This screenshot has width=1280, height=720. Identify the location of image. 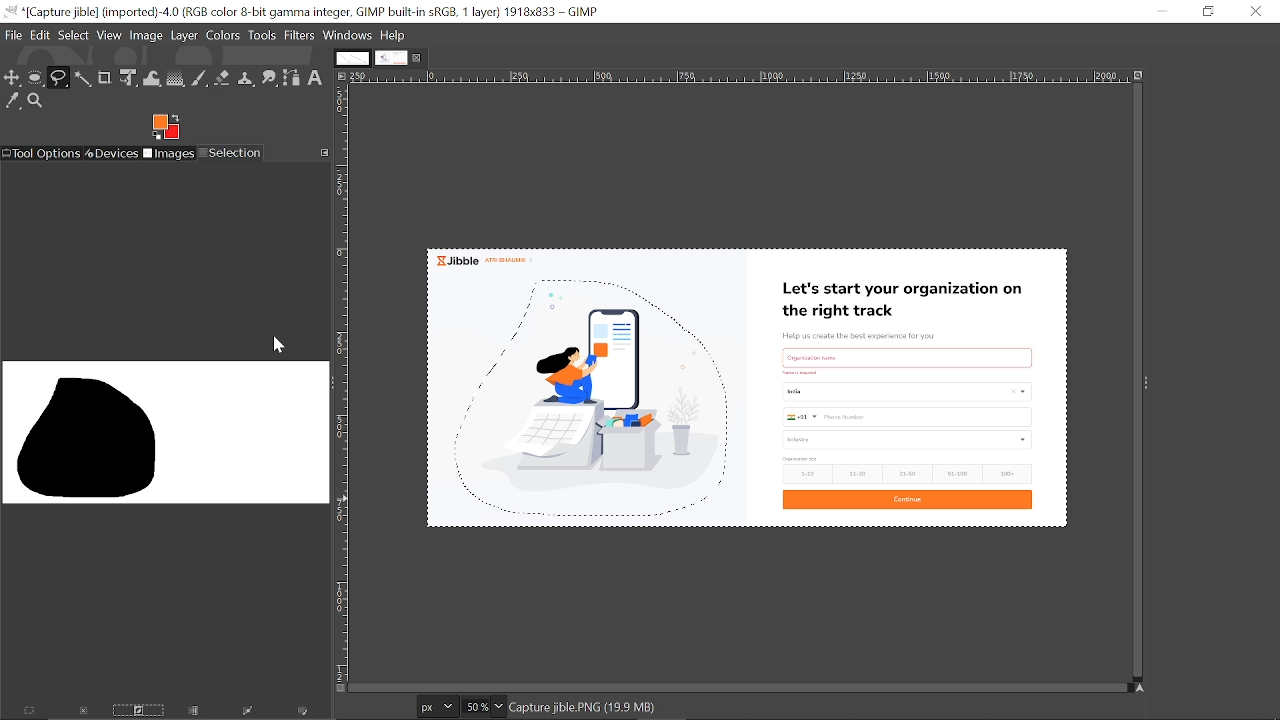
(146, 36).